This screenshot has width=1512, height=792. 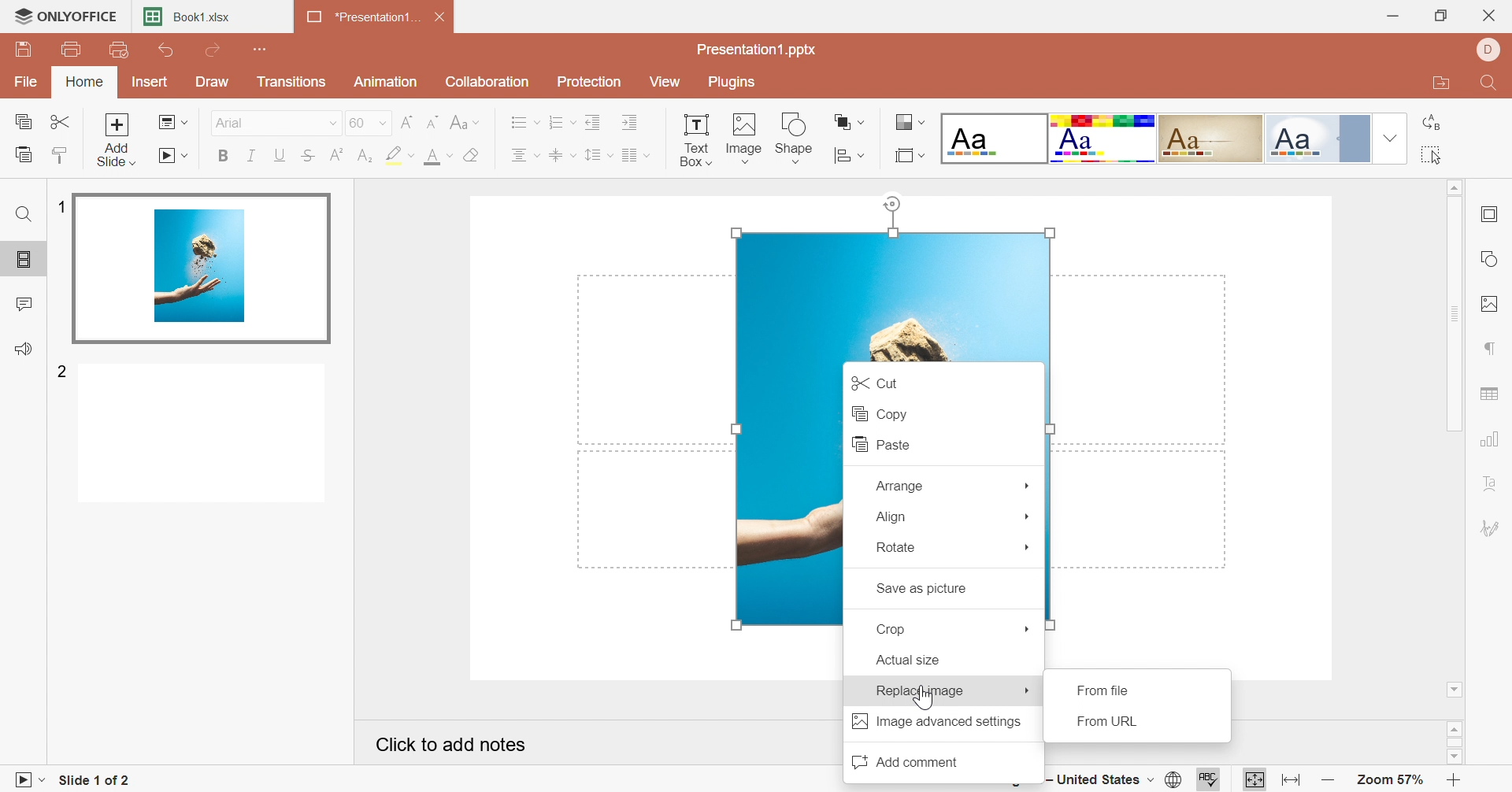 What do you see at coordinates (562, 153) in the screenshot?
I see `Vertical align` at bounding box center [562, 153].